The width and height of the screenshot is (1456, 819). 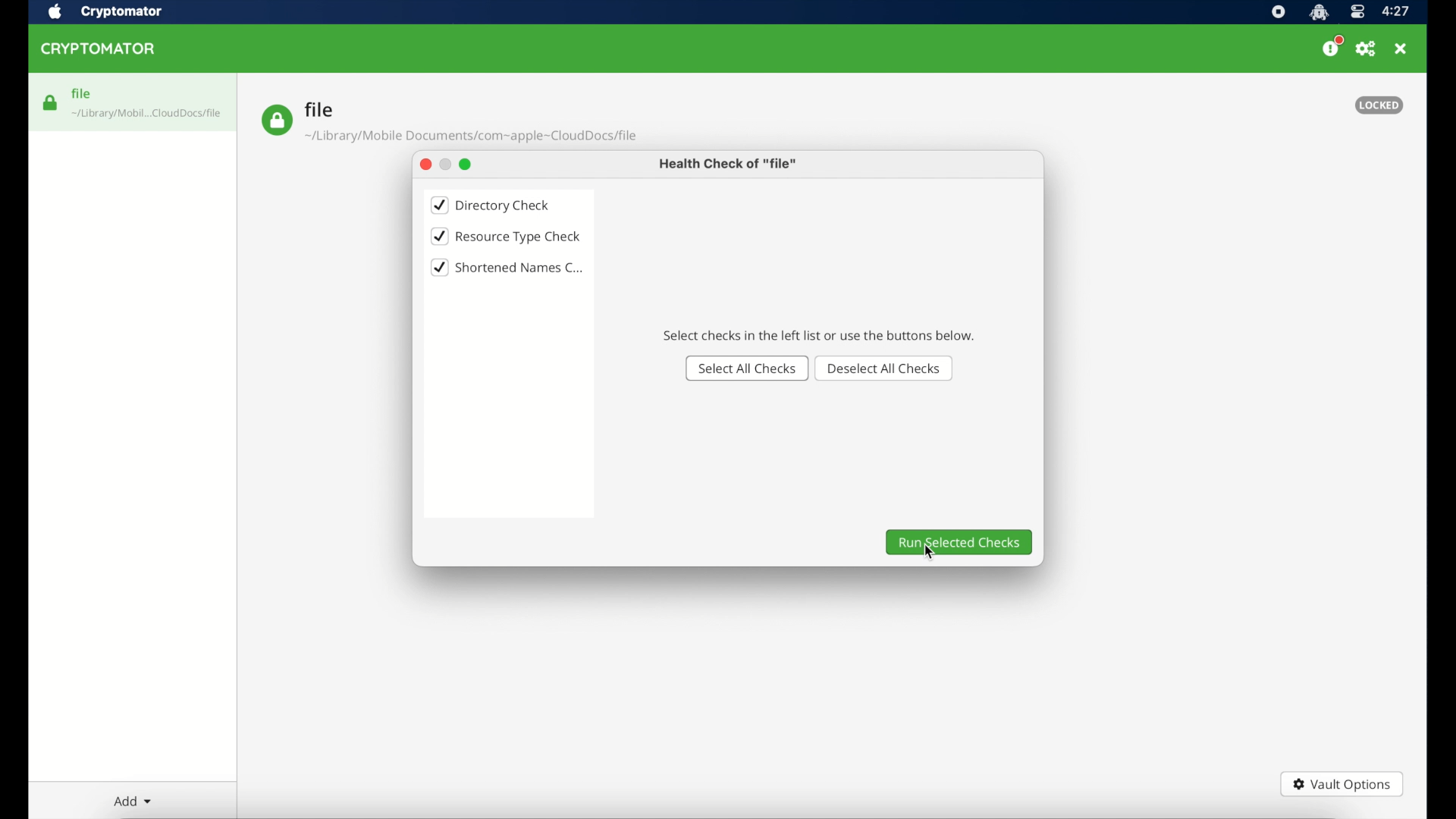 What do you see at coordinates (101, 49) in the screenshot?
I see `cryptomator` at bounding box center [101, 49].